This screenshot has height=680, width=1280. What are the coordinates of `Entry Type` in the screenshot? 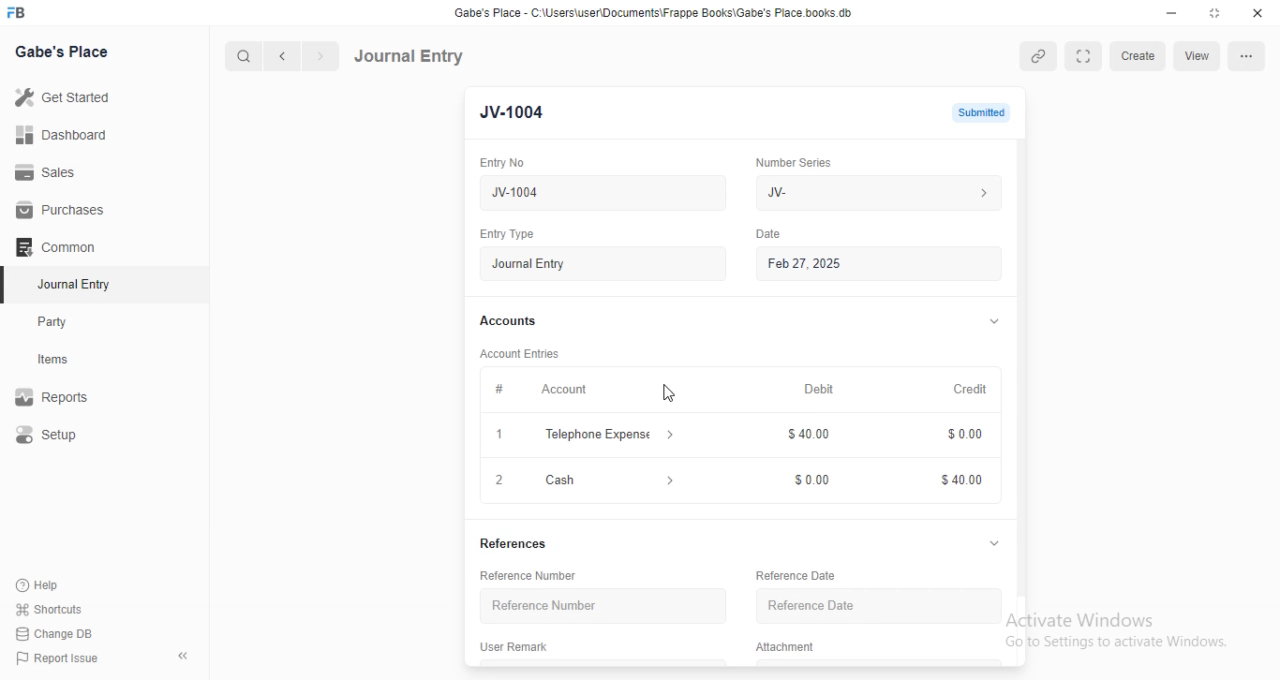 It's located at (507, 235).